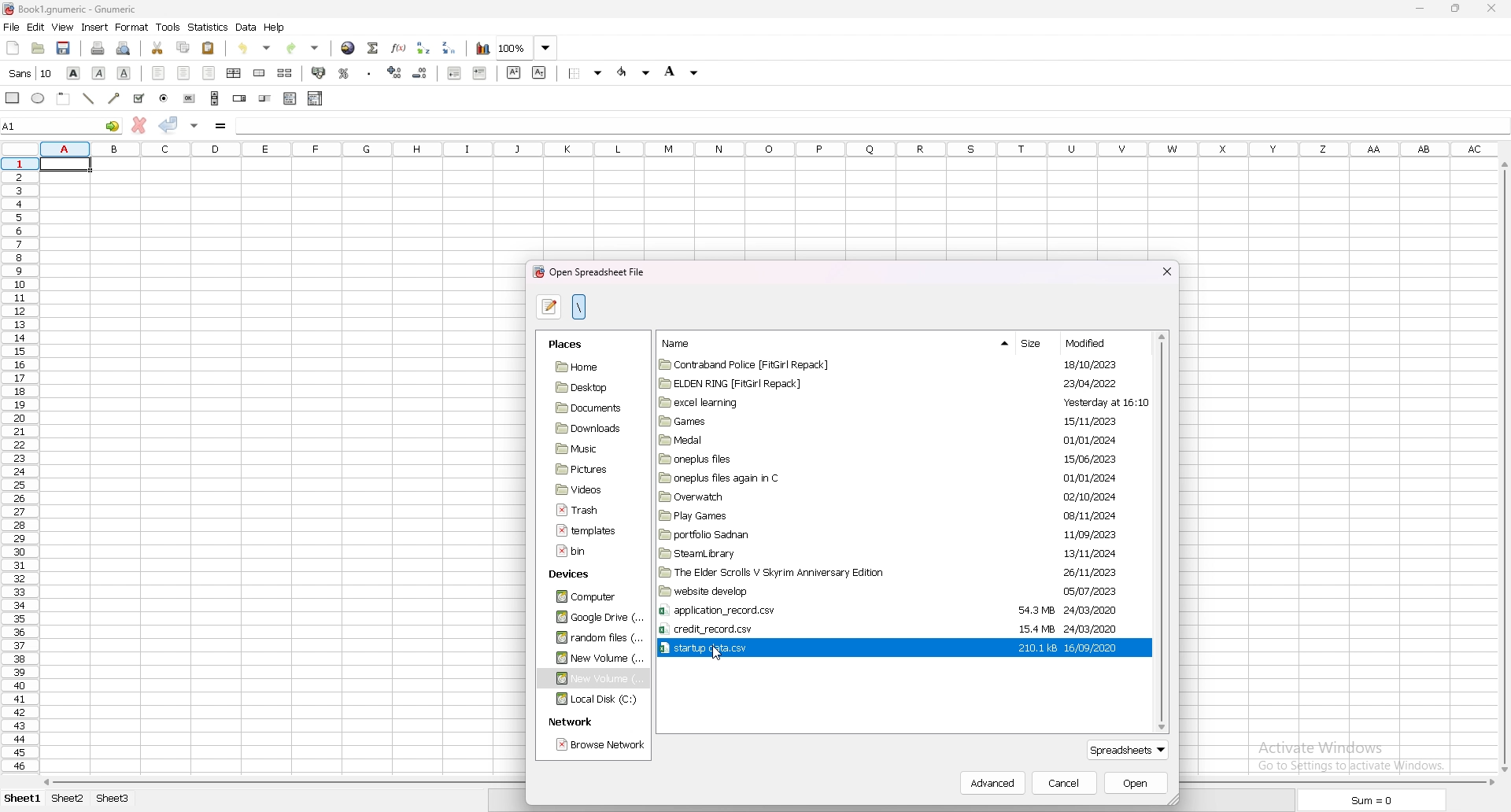  I want to click on decrease indent, so click(453, 72).